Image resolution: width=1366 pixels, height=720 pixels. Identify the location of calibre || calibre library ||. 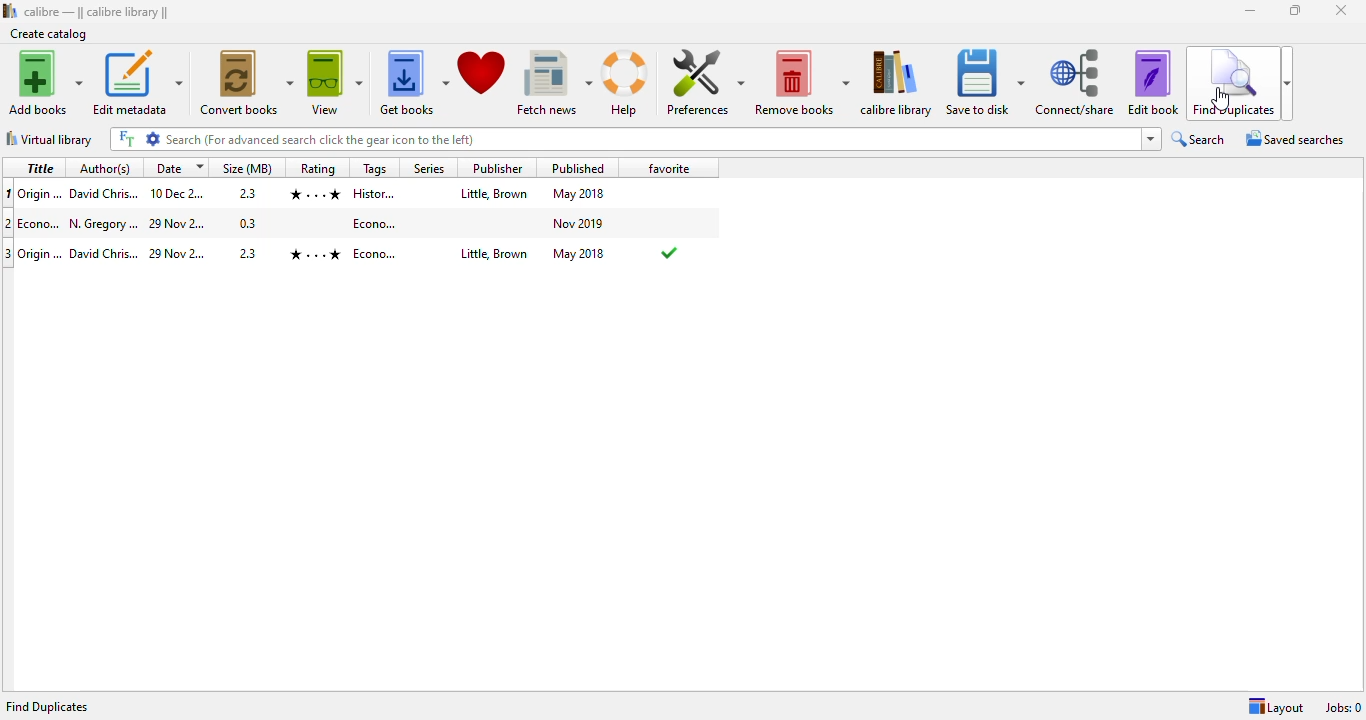
(96, 12).